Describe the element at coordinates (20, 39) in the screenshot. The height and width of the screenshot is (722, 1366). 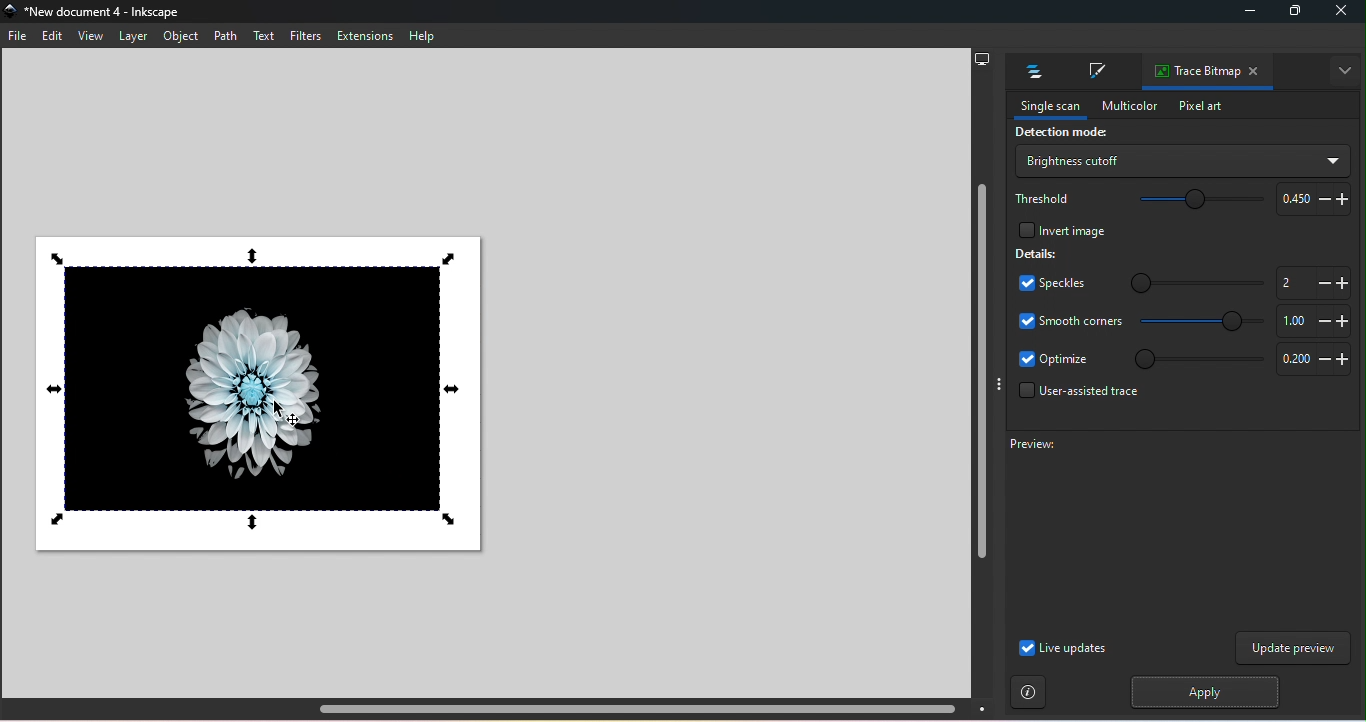
I see `File` at that location.